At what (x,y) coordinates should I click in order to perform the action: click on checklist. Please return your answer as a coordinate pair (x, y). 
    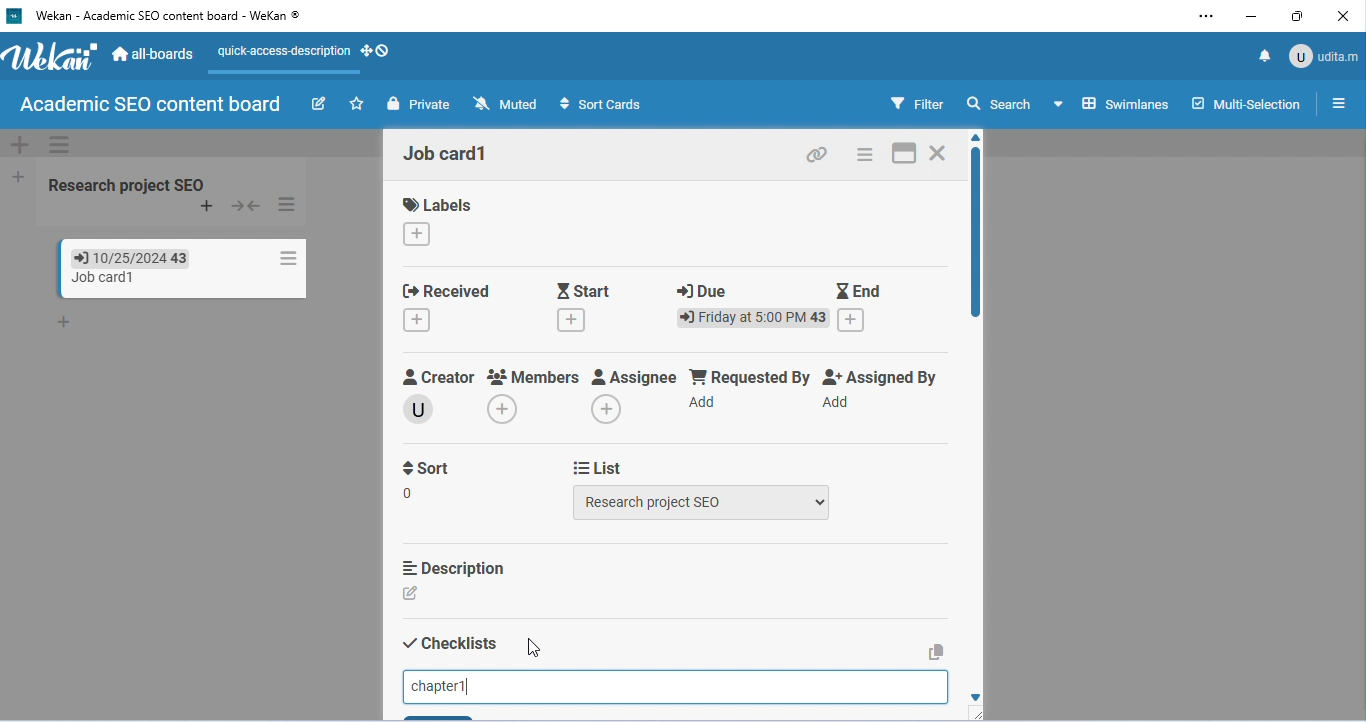
    Looking at the image, I should click on (450, 644).